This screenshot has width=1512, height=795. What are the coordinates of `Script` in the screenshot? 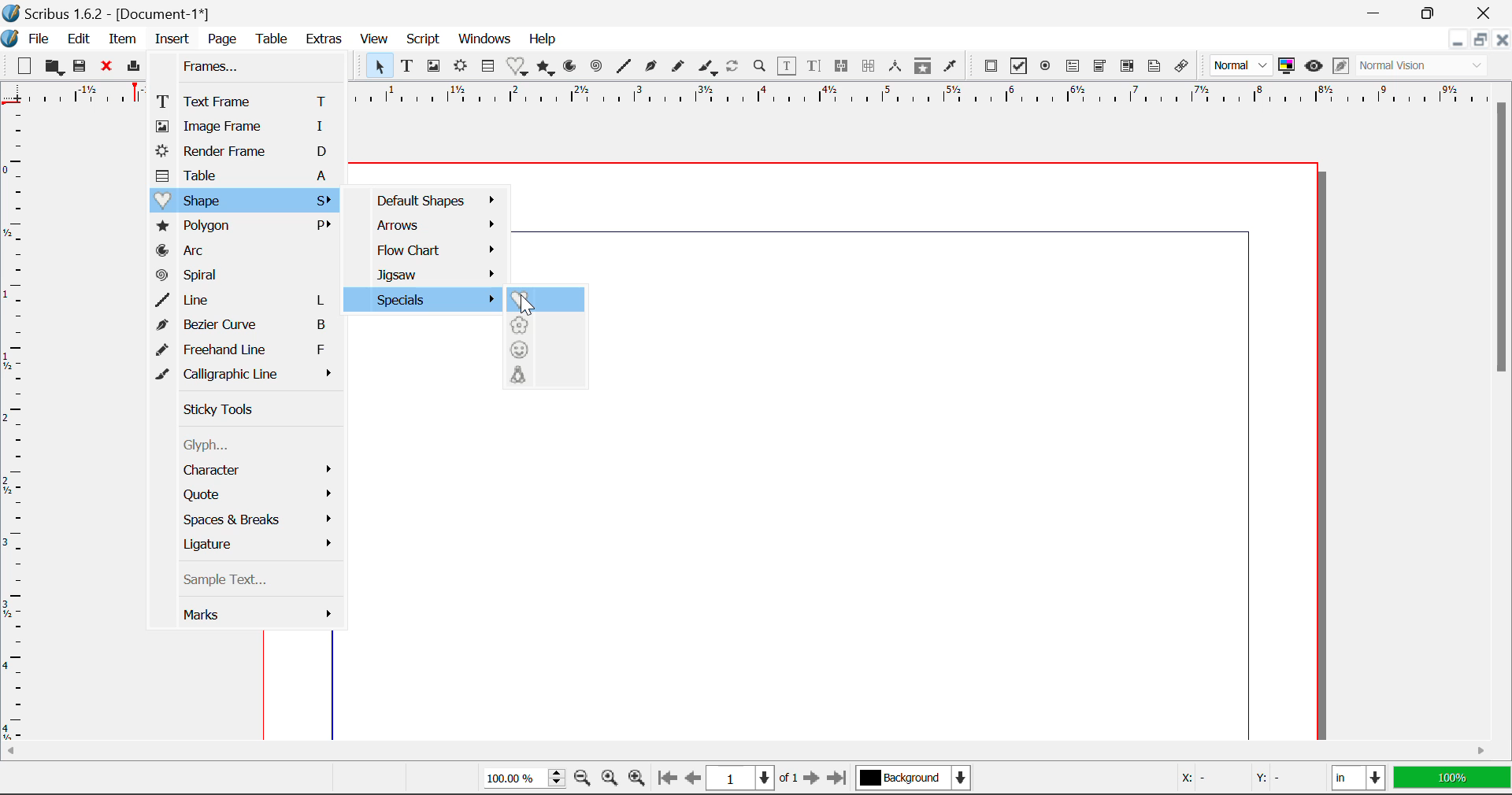 It's located at (422, 41).